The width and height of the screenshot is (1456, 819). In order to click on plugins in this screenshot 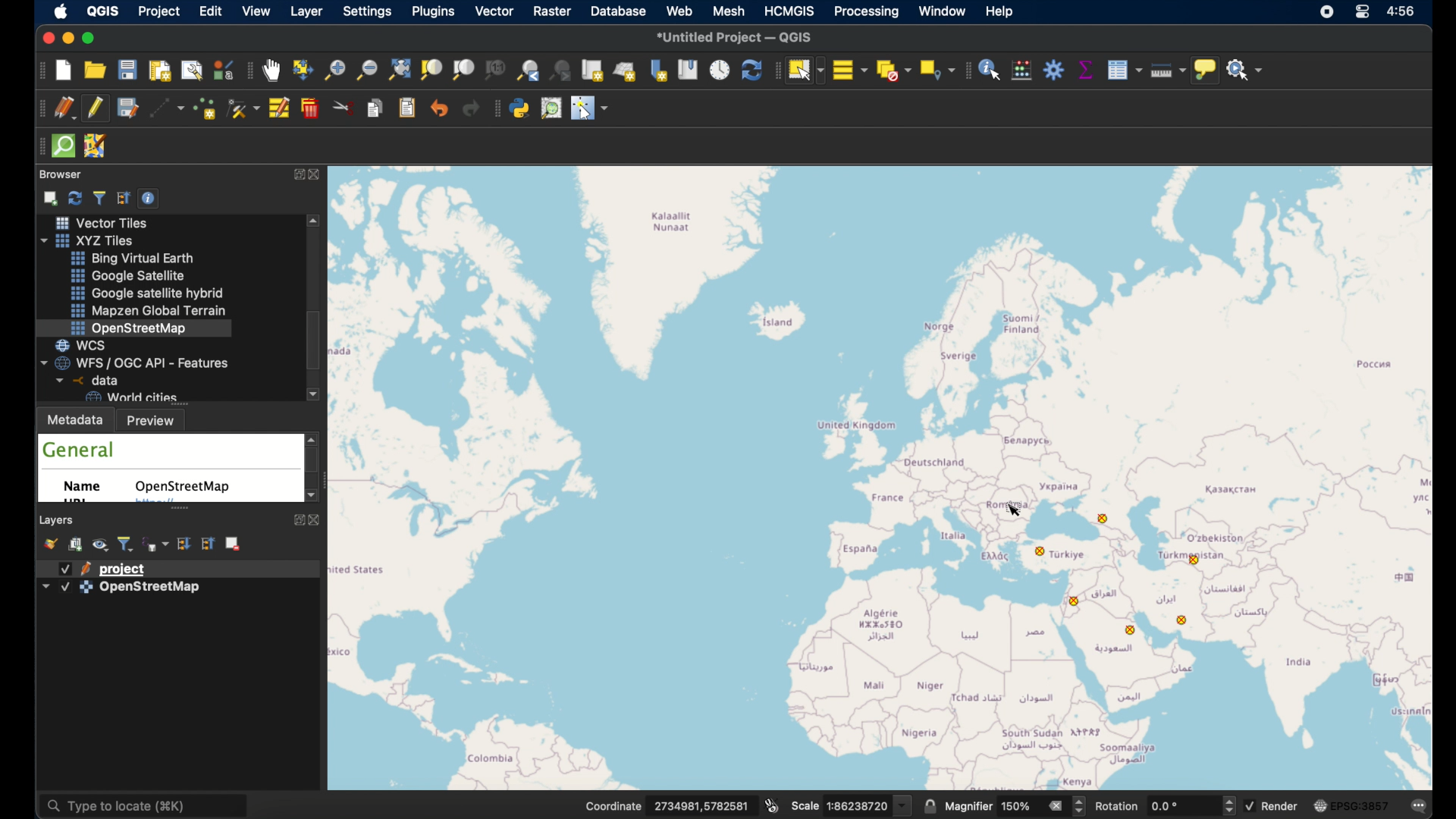, I will do `click(433, 13)`.